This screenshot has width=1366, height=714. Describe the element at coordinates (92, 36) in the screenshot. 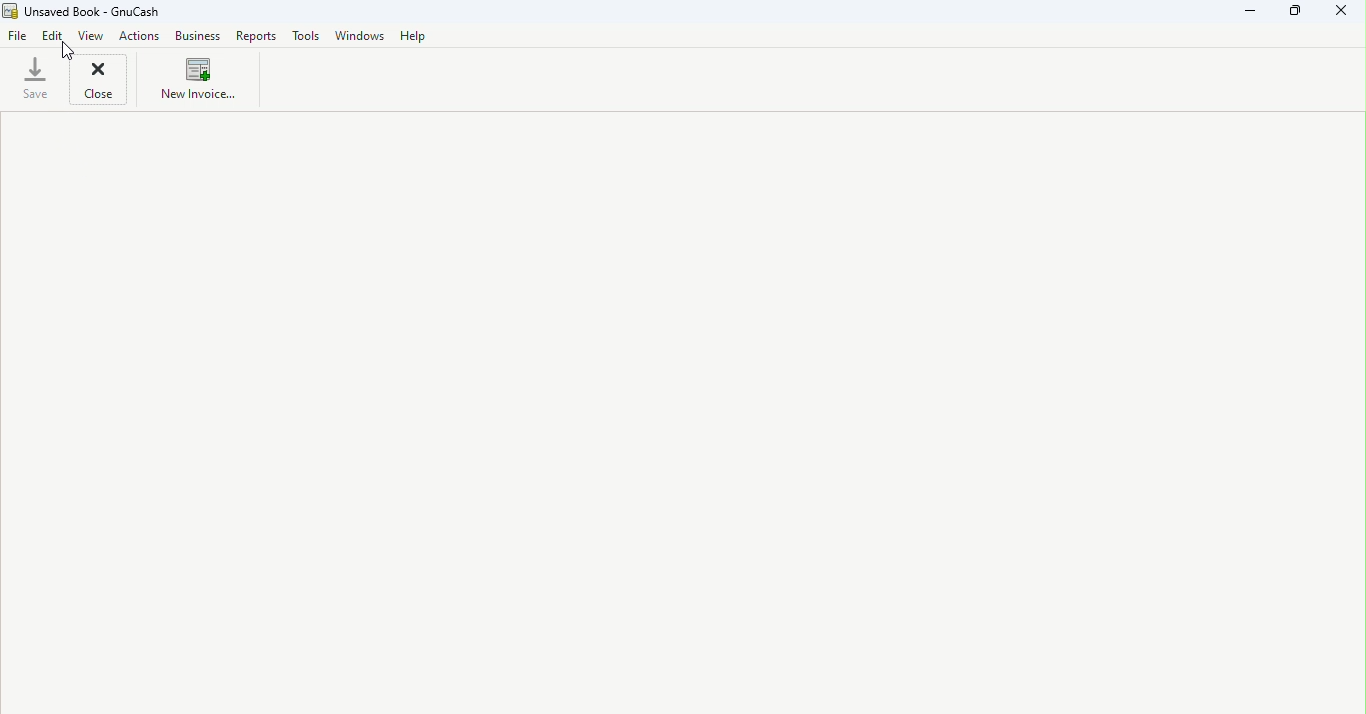

I see `View` at that location.